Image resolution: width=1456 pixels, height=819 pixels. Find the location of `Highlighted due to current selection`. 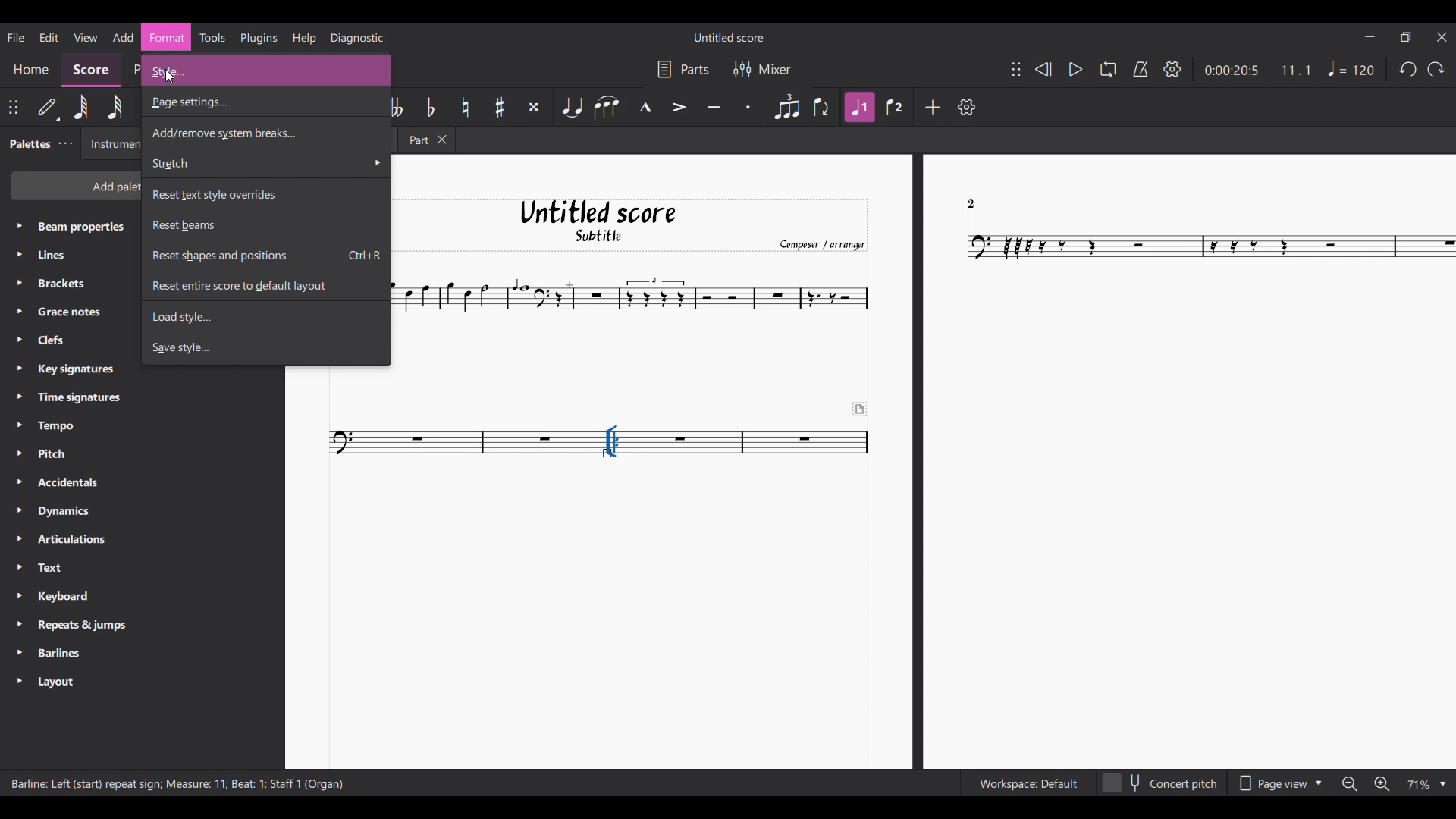

Highlighted due to current selection is located at coordinates (858, 108).